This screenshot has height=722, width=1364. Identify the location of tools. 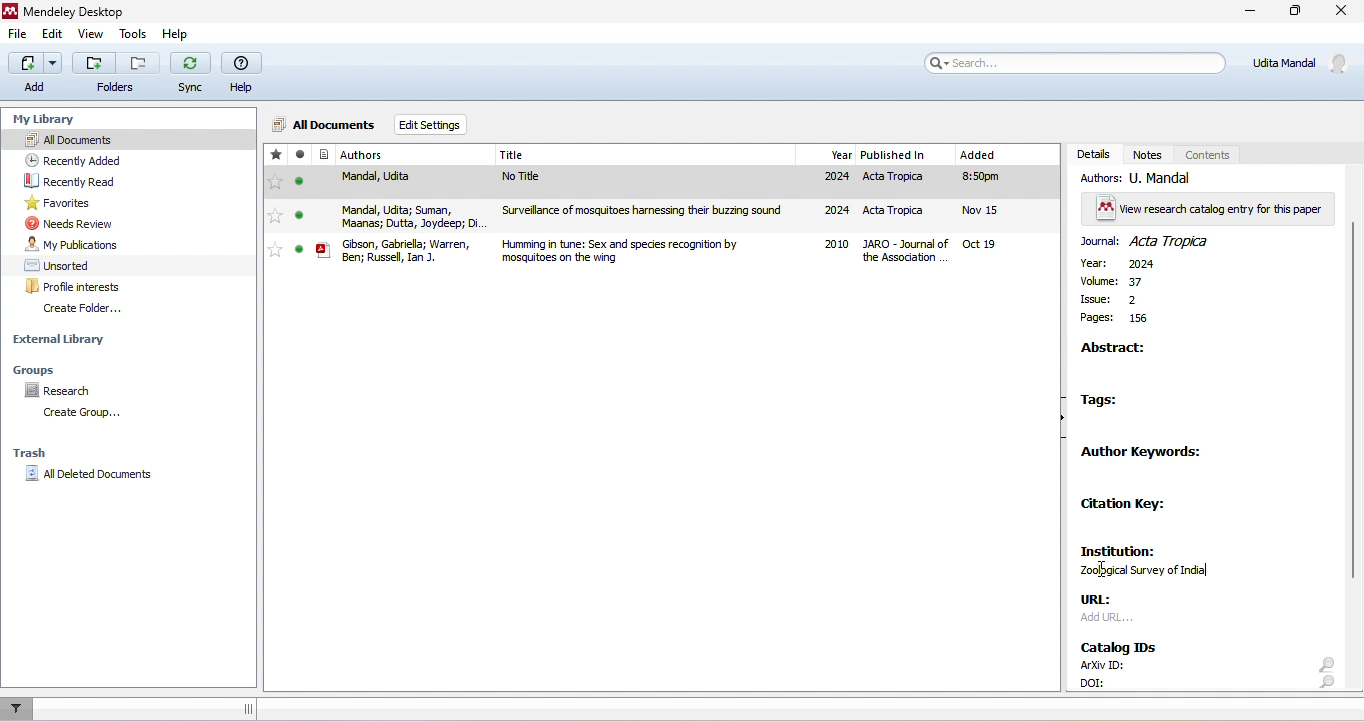
(132, 36).